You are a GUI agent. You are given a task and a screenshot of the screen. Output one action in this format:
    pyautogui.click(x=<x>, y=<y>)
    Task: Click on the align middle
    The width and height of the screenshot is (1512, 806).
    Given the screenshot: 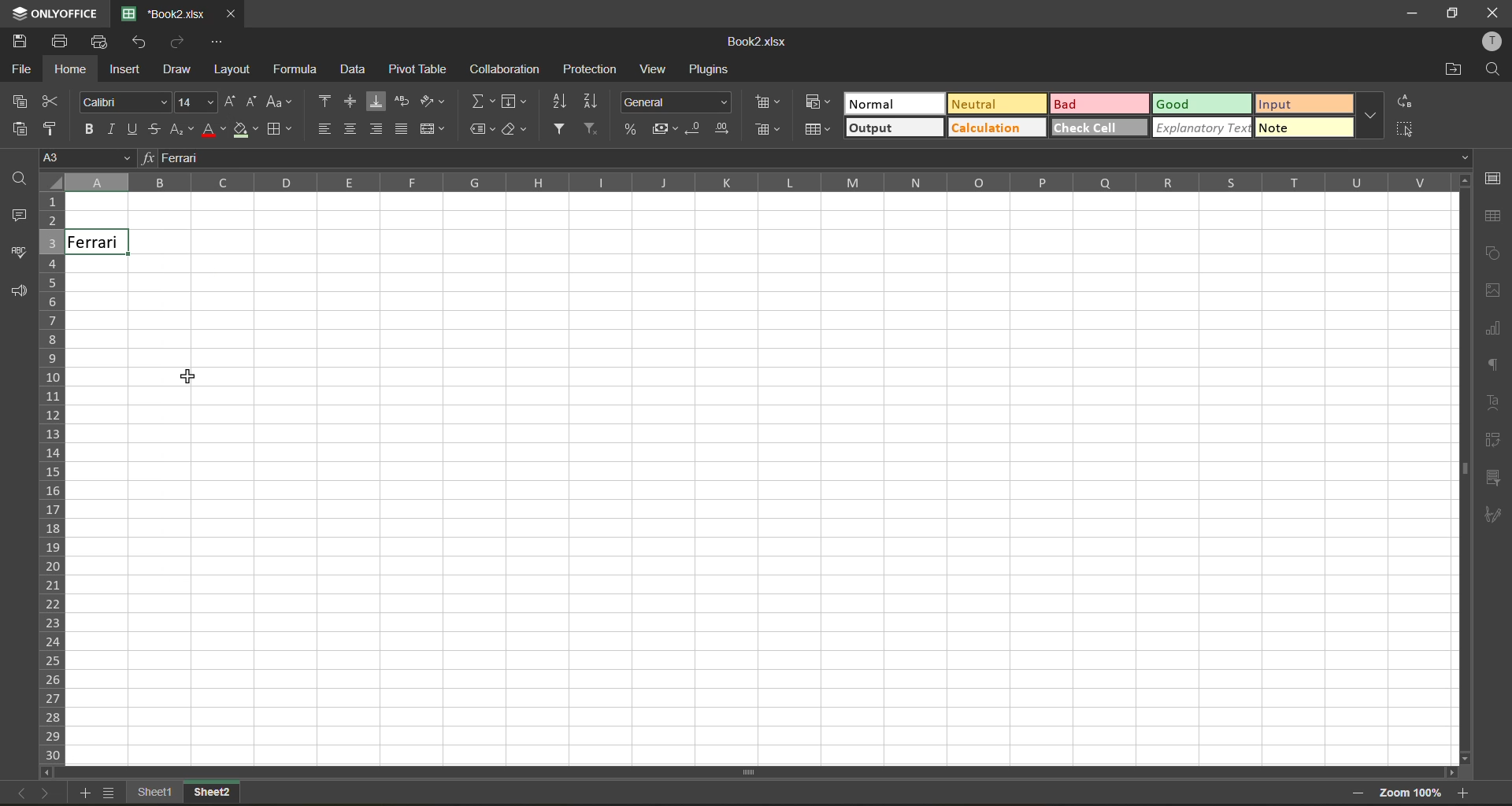 What is the action you would take?
    pyautogui.click(x=350, y=101)
    